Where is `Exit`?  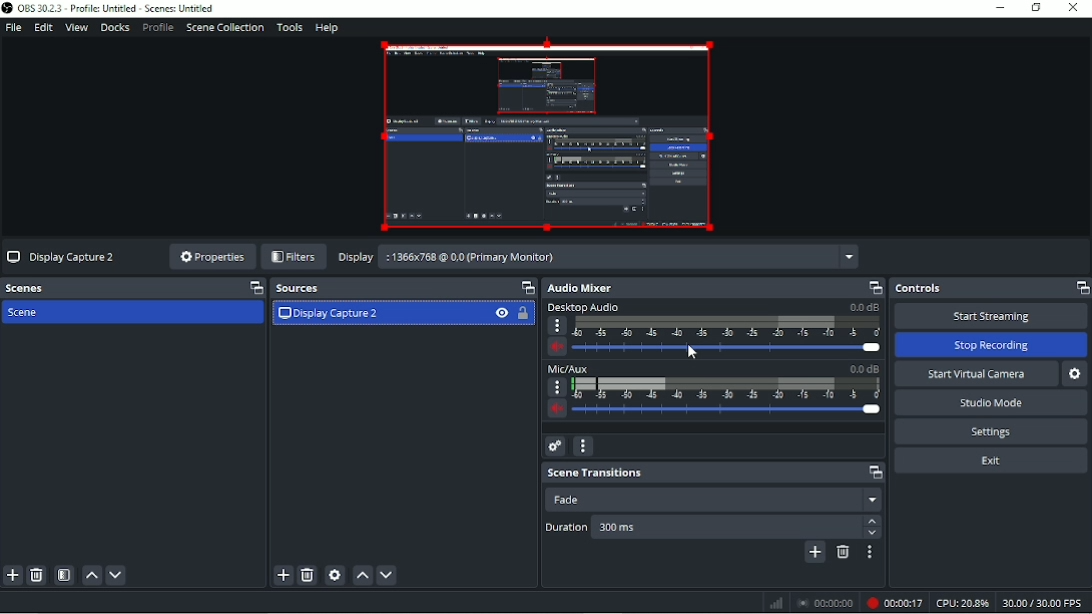 Exit is located at coordinates (990, 460).